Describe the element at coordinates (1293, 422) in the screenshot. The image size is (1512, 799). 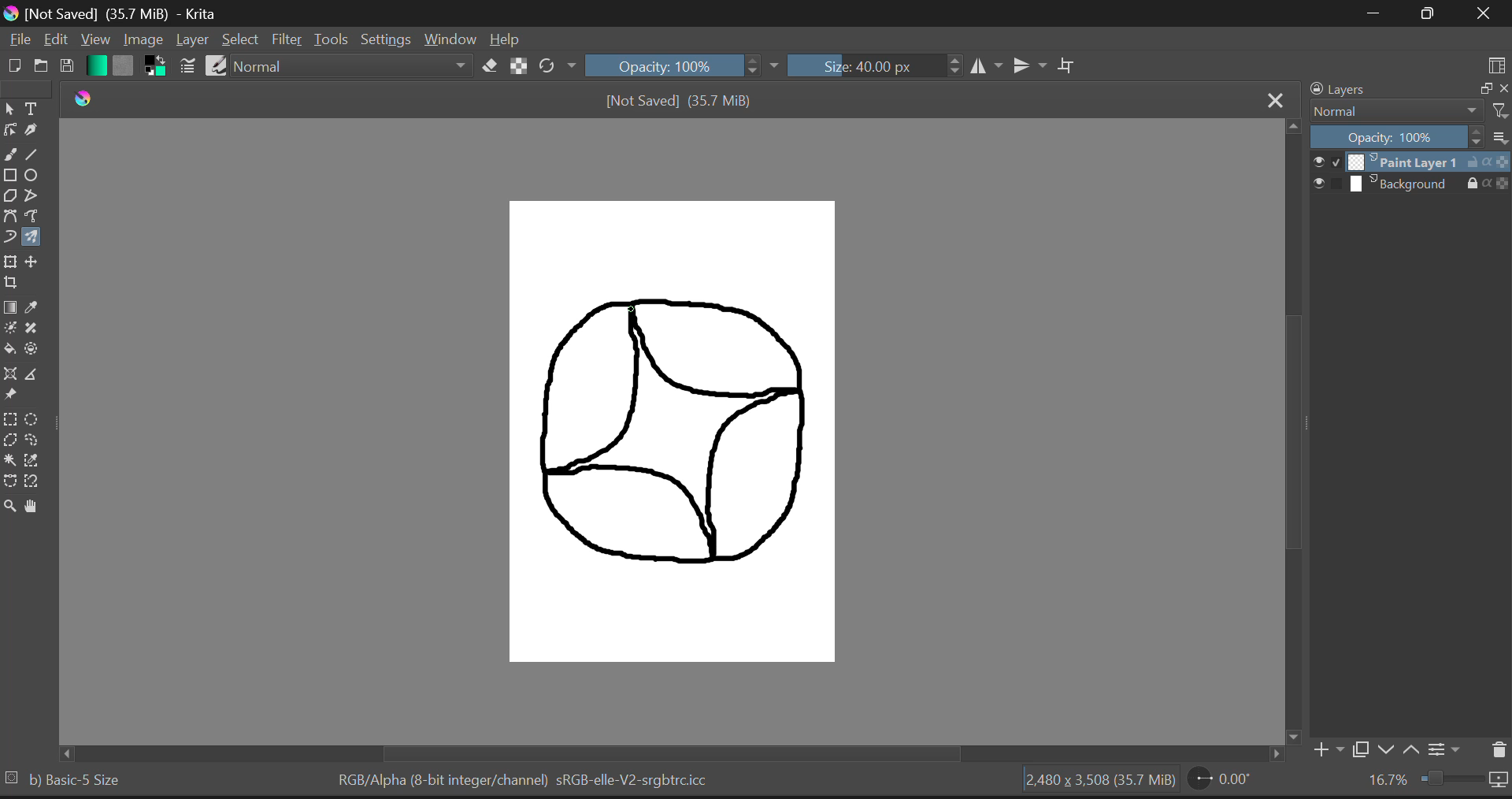
I see `Scroll Bar` at that location.